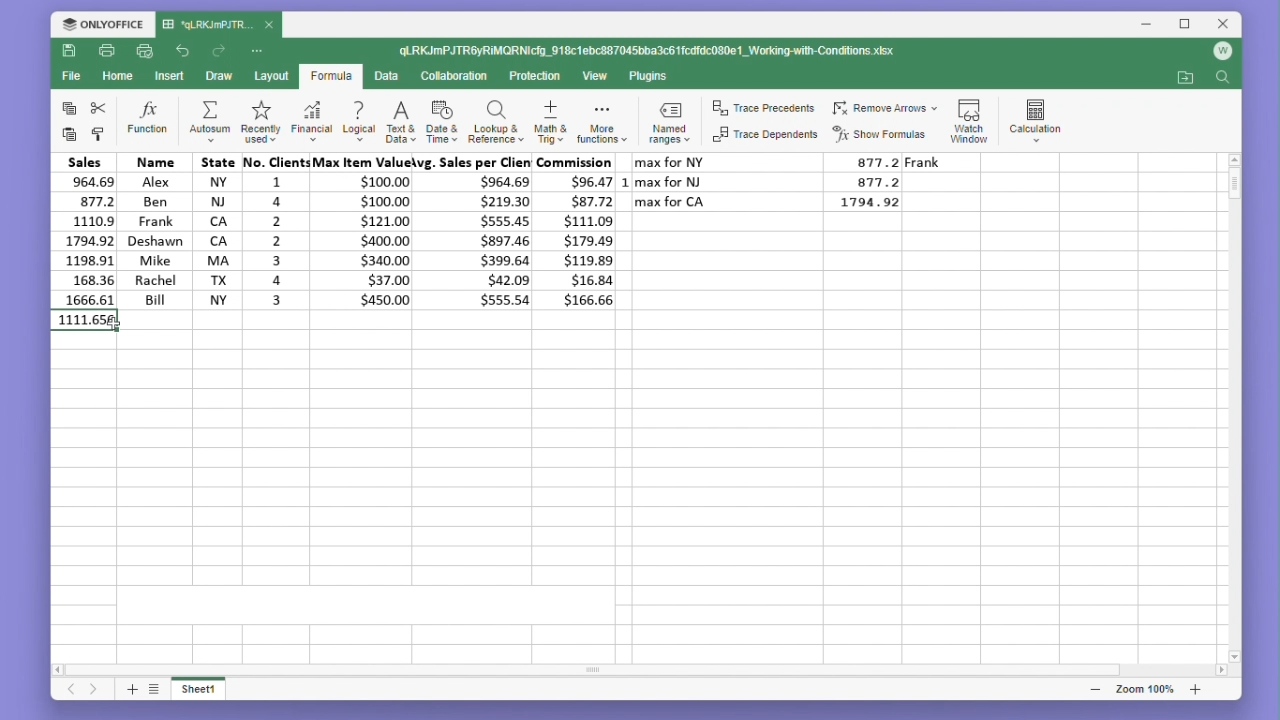 The width and height of the screenshot is (1280, 720). I want to click on copy, so click(66, 108).